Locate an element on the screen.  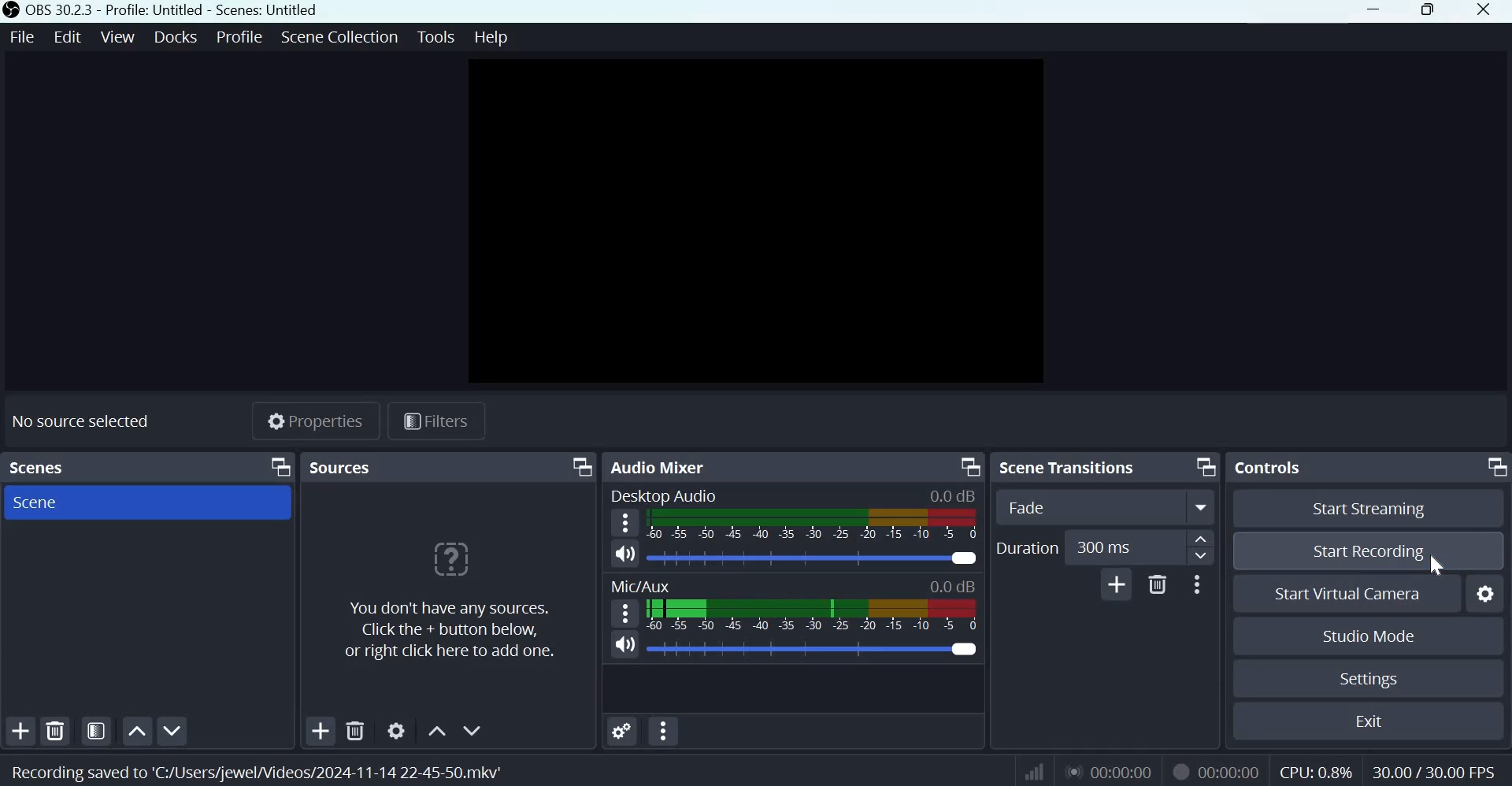
Speaker Icon is located at coordinates (624, 554).